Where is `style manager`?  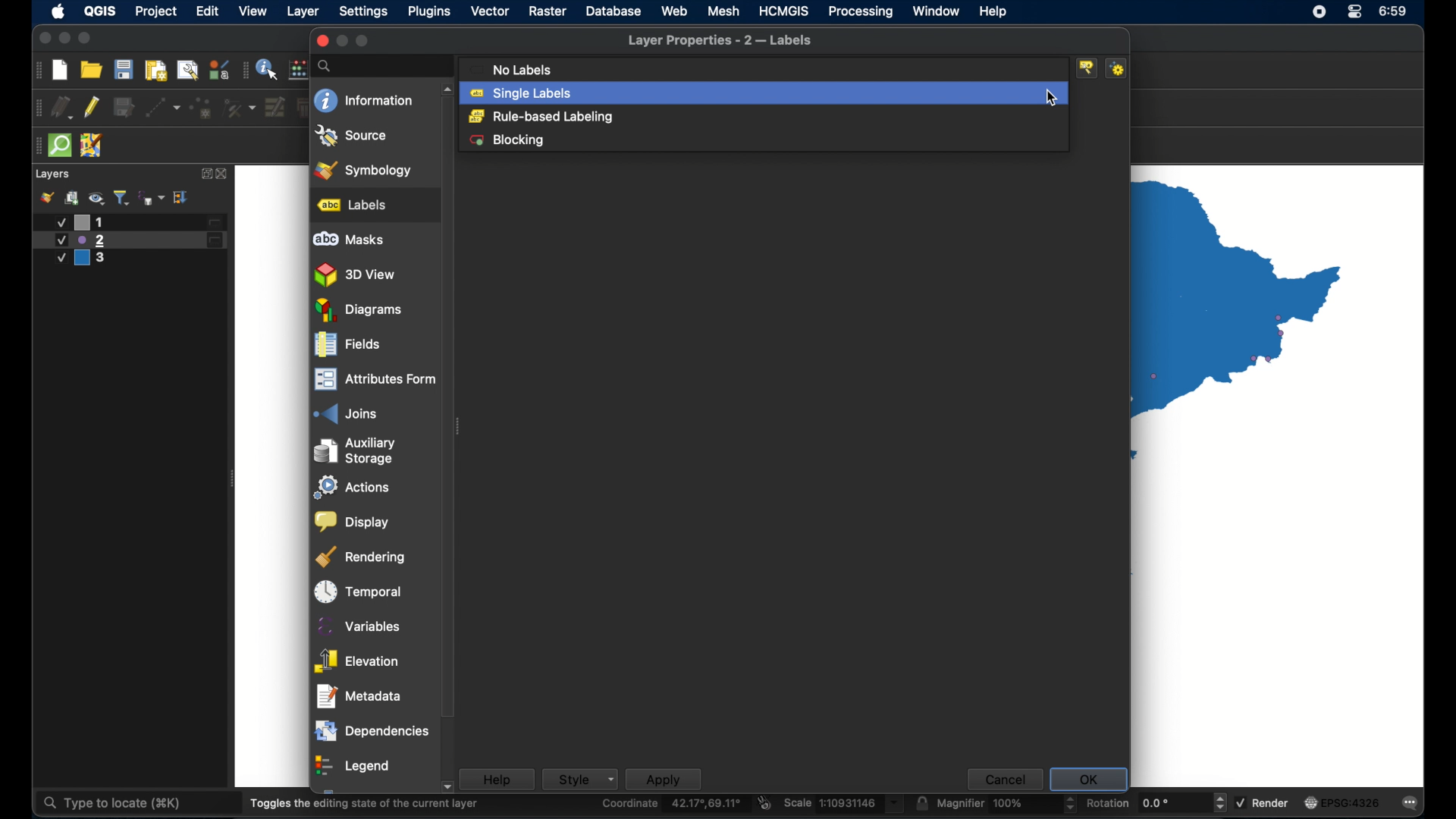
style manager is located at coordinates (219, 69).